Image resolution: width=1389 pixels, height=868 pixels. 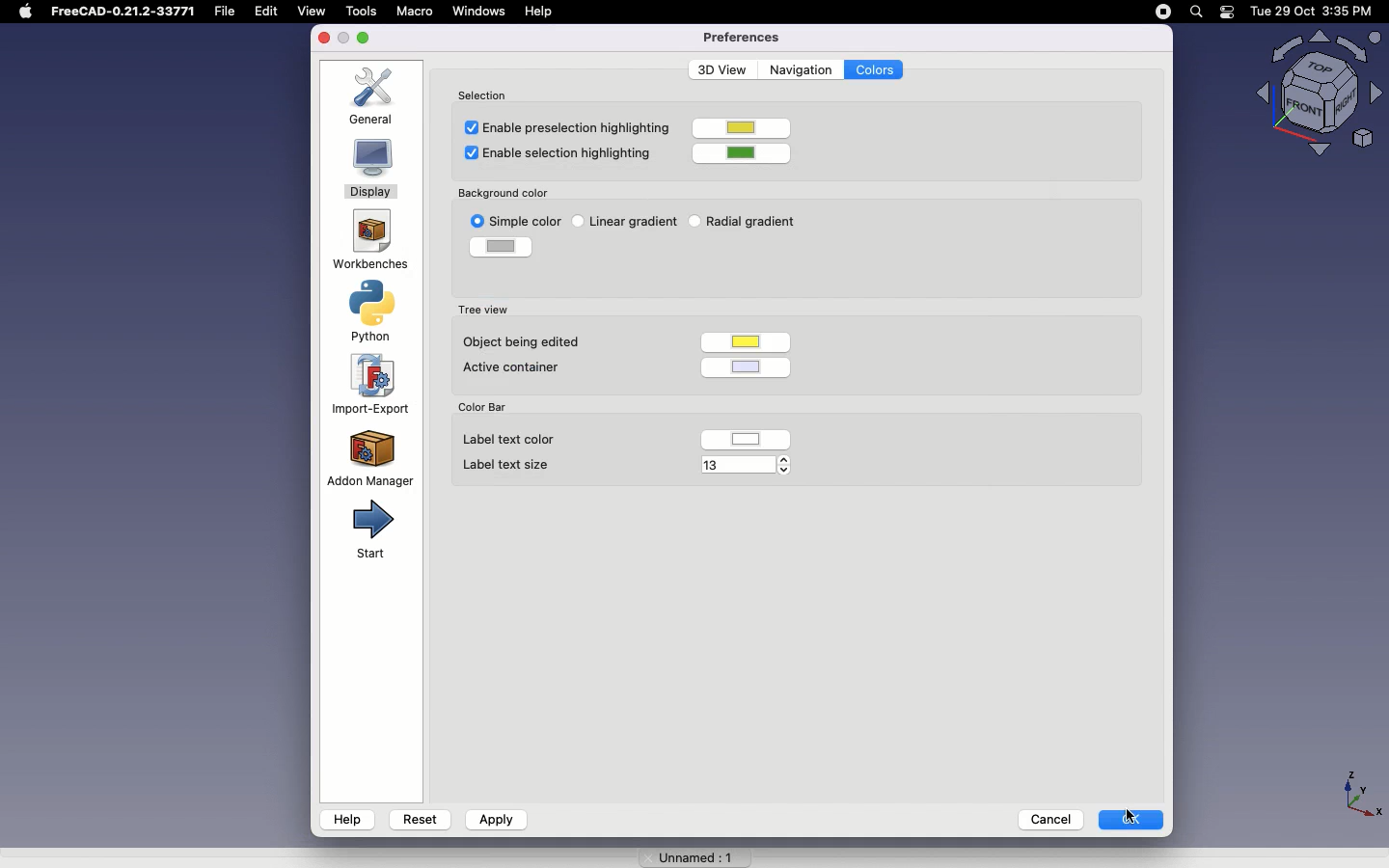 I want to click on Help, so click(x=347, y=819).